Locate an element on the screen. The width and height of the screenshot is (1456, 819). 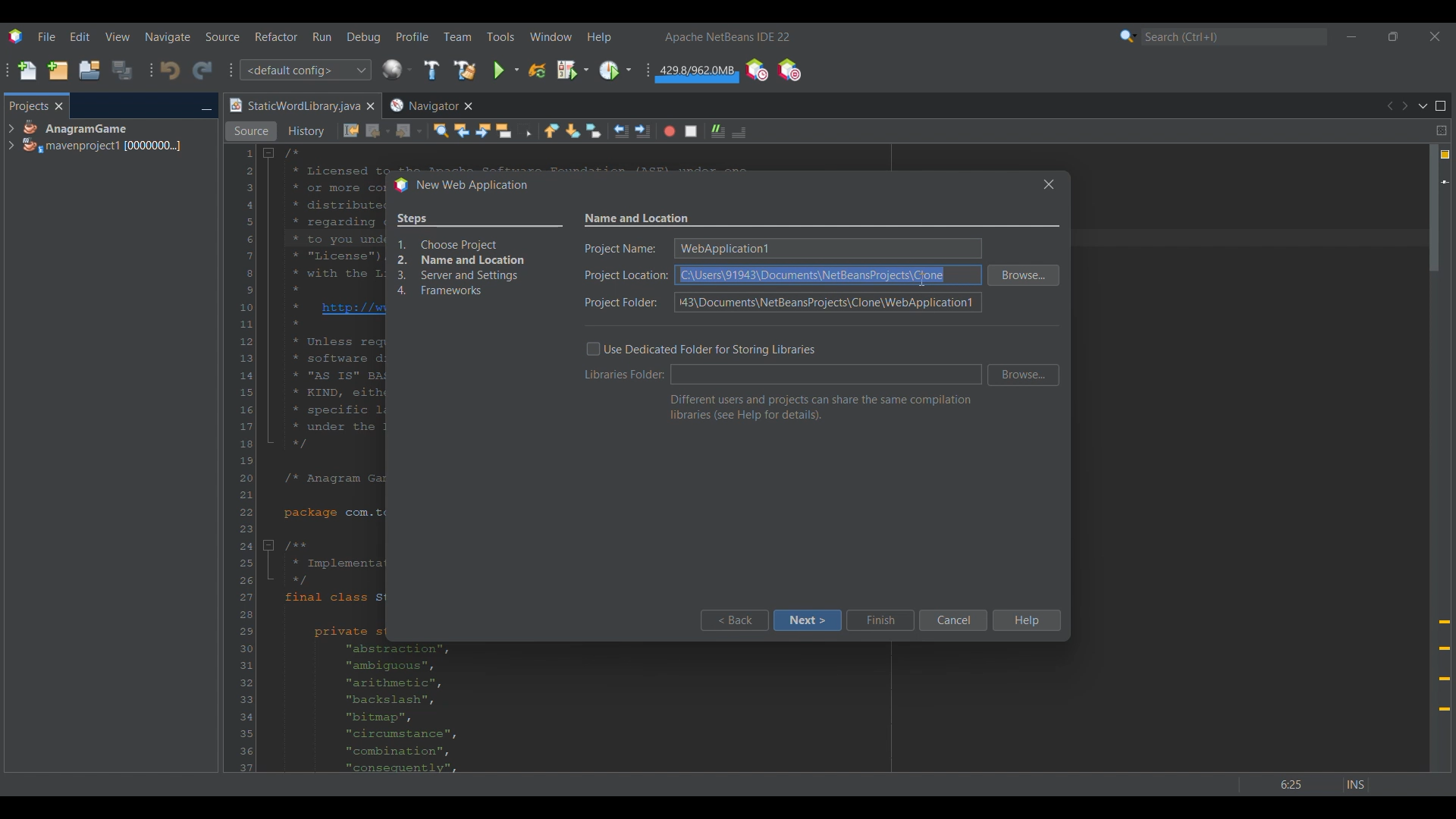
Debug main project options is located at coordinates (573, 69).